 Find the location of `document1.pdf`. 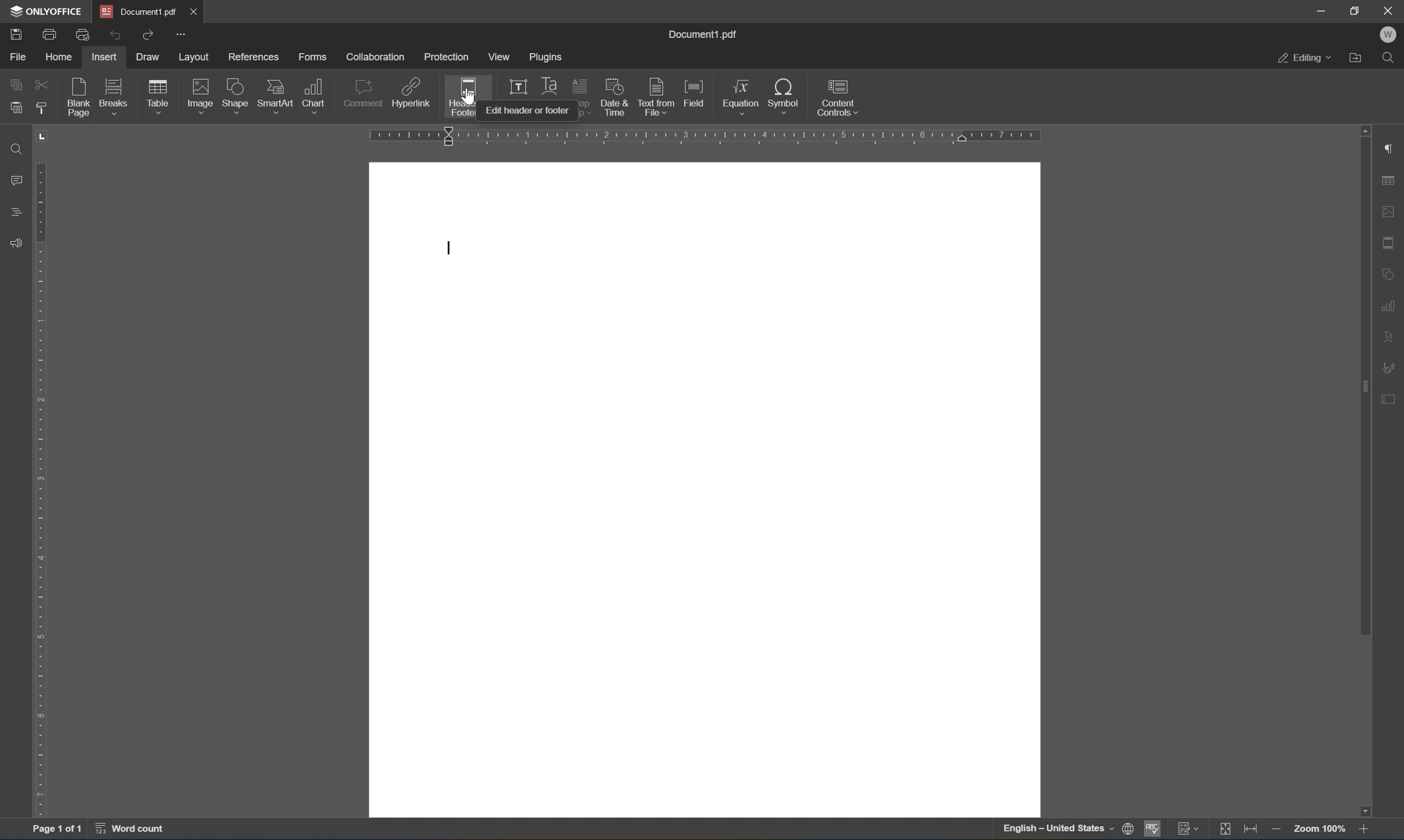

document1.pdf is located at coordinates (705, 34).